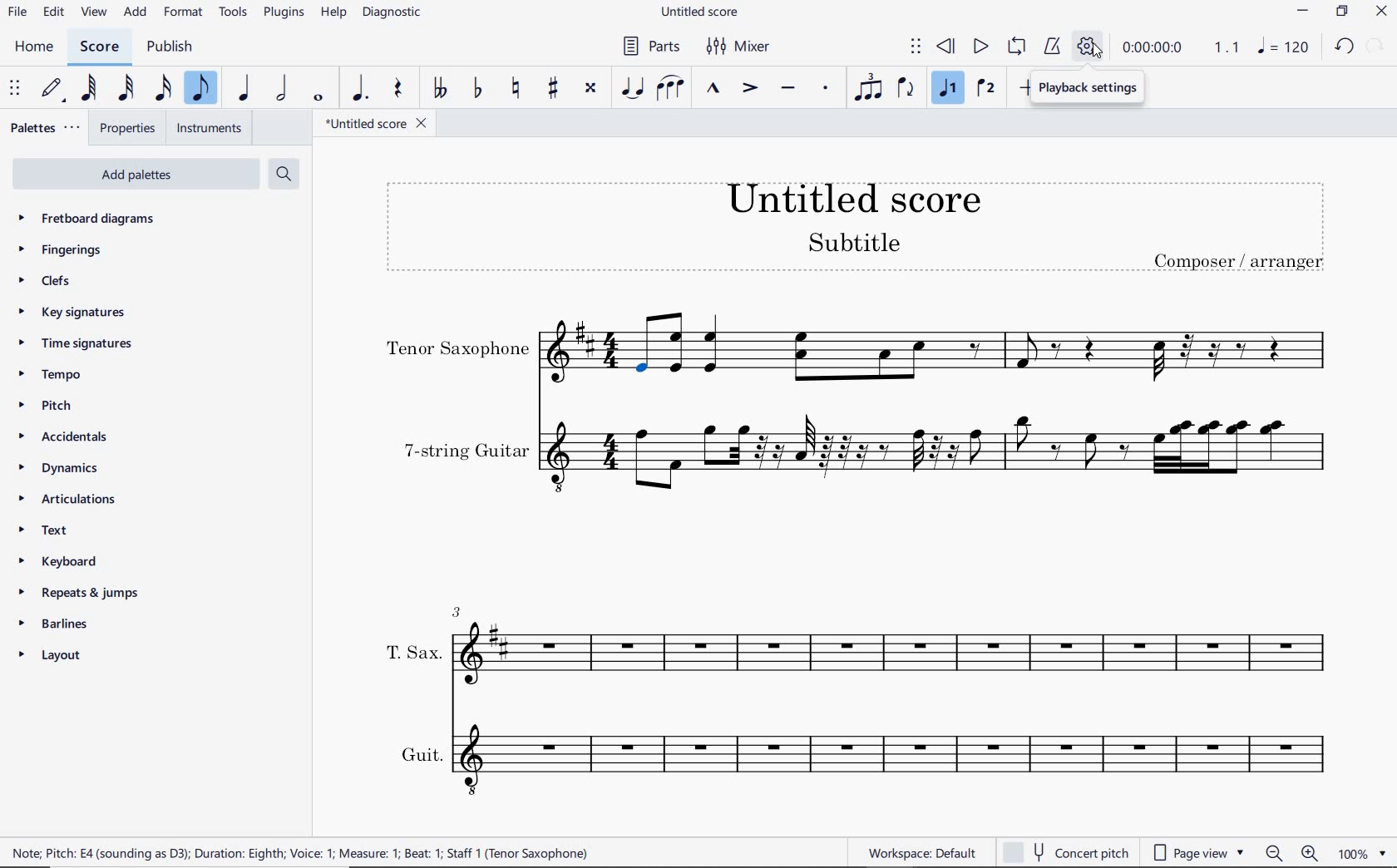  What do you see at coordinates (32, 47) in the screenshot?
I see `HOME` at bounding box center [32, 47].